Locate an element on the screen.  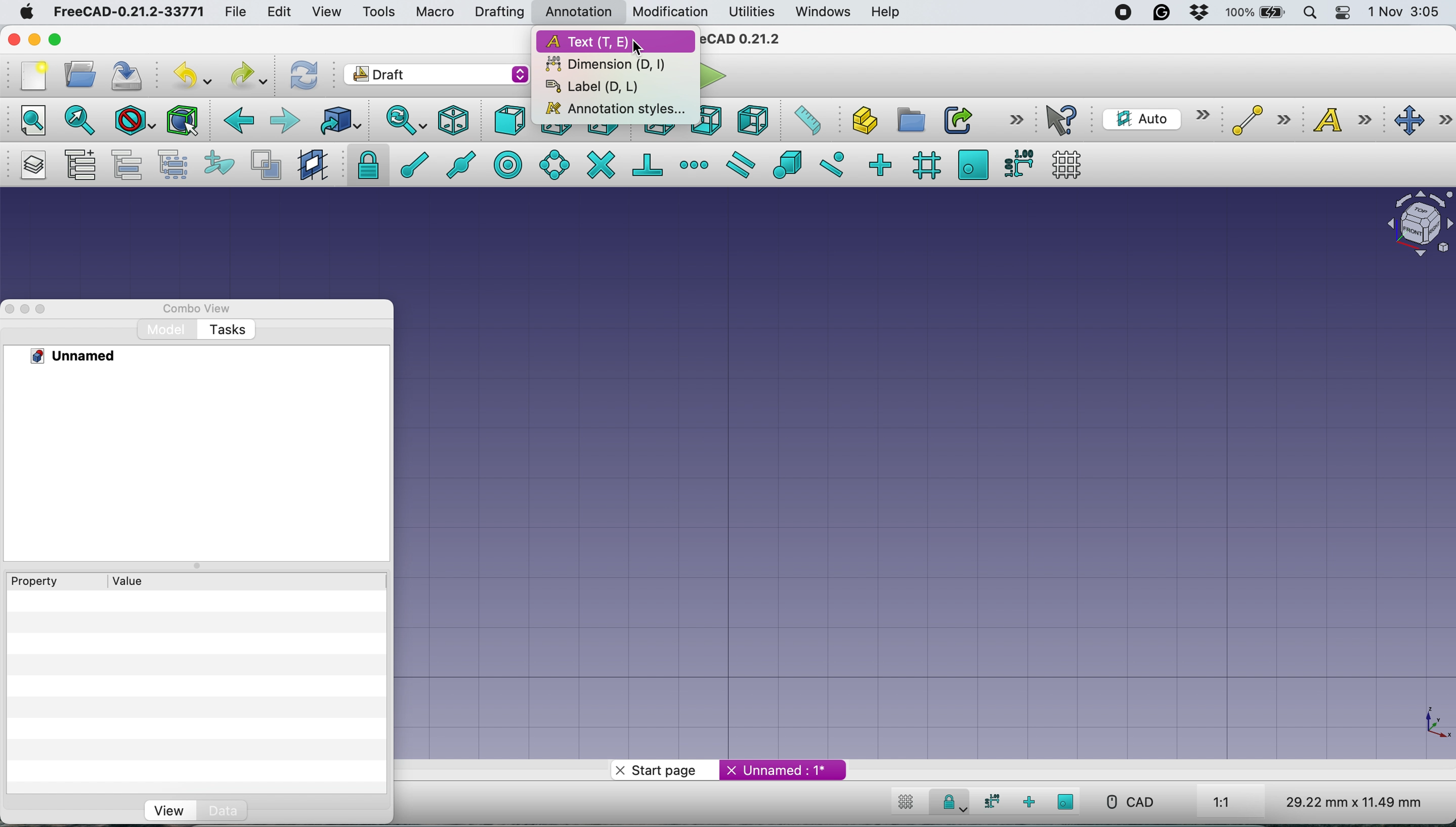
tasks is located at coordinates (225, 329).